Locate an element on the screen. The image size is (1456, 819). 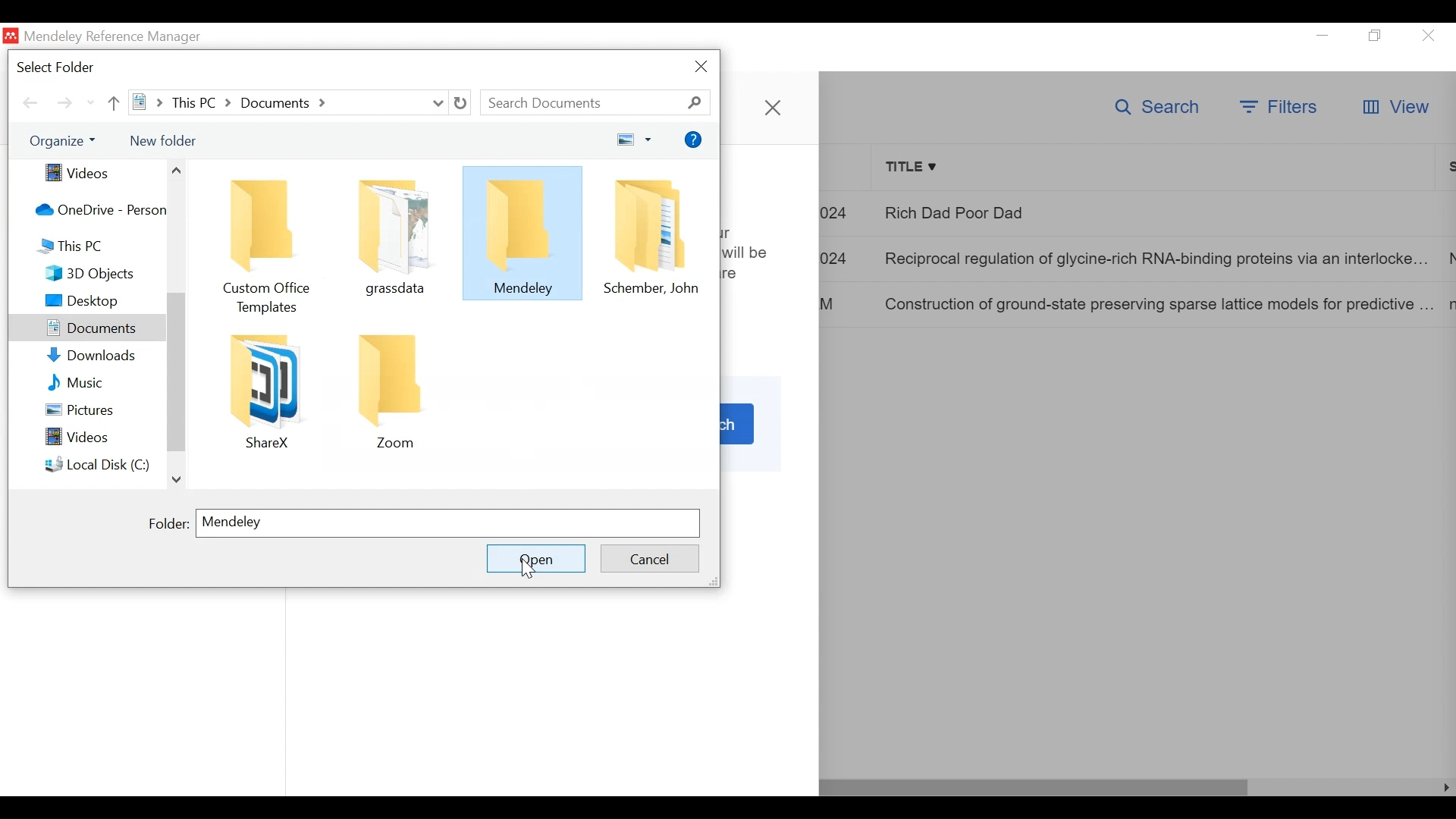
Close is located at coordinates (772, 107).